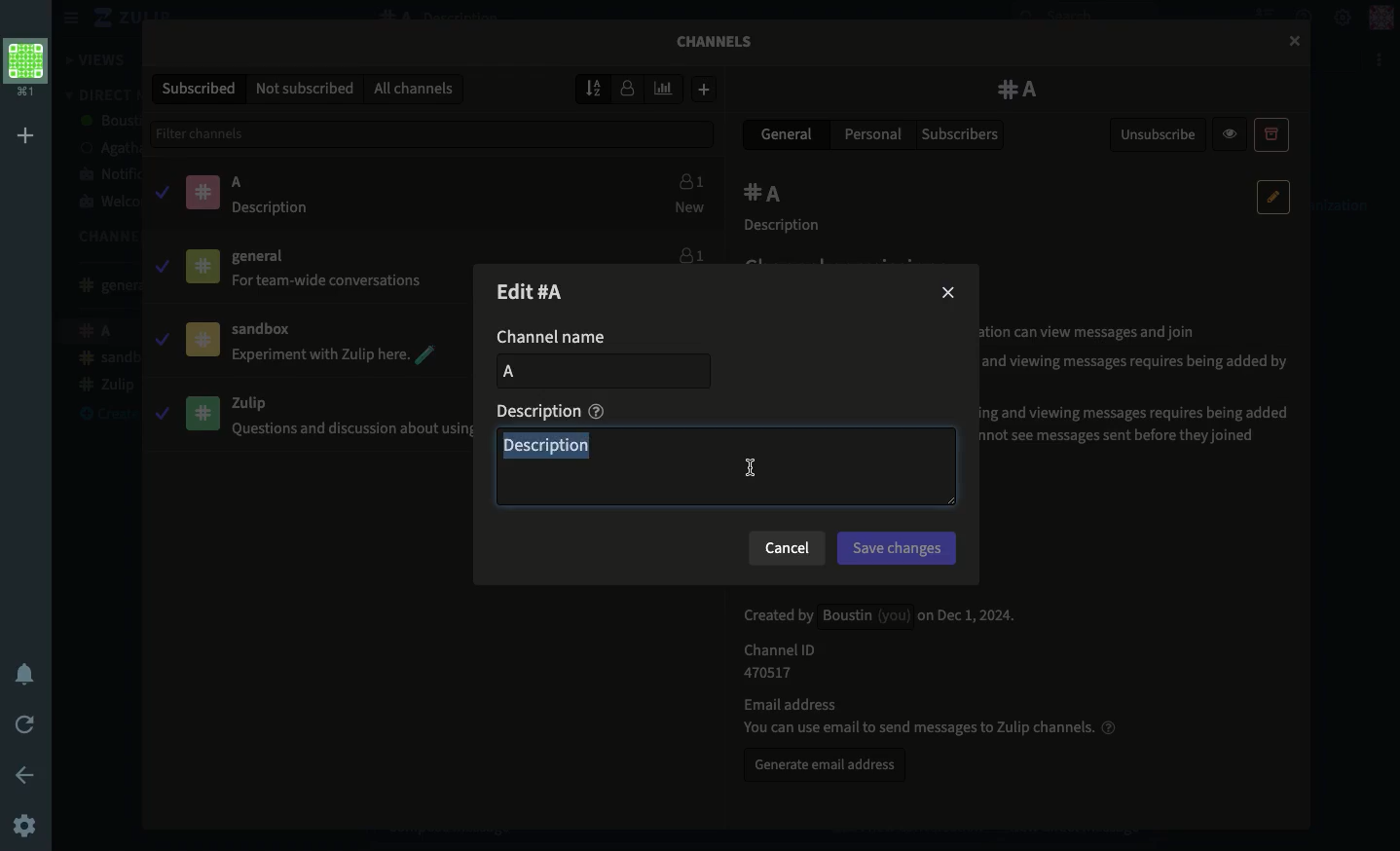 The height and width of the screenshot is (851, 1400). Describe the element at coordinates (98, 60) in the screenshot. I see `Views` at that location.